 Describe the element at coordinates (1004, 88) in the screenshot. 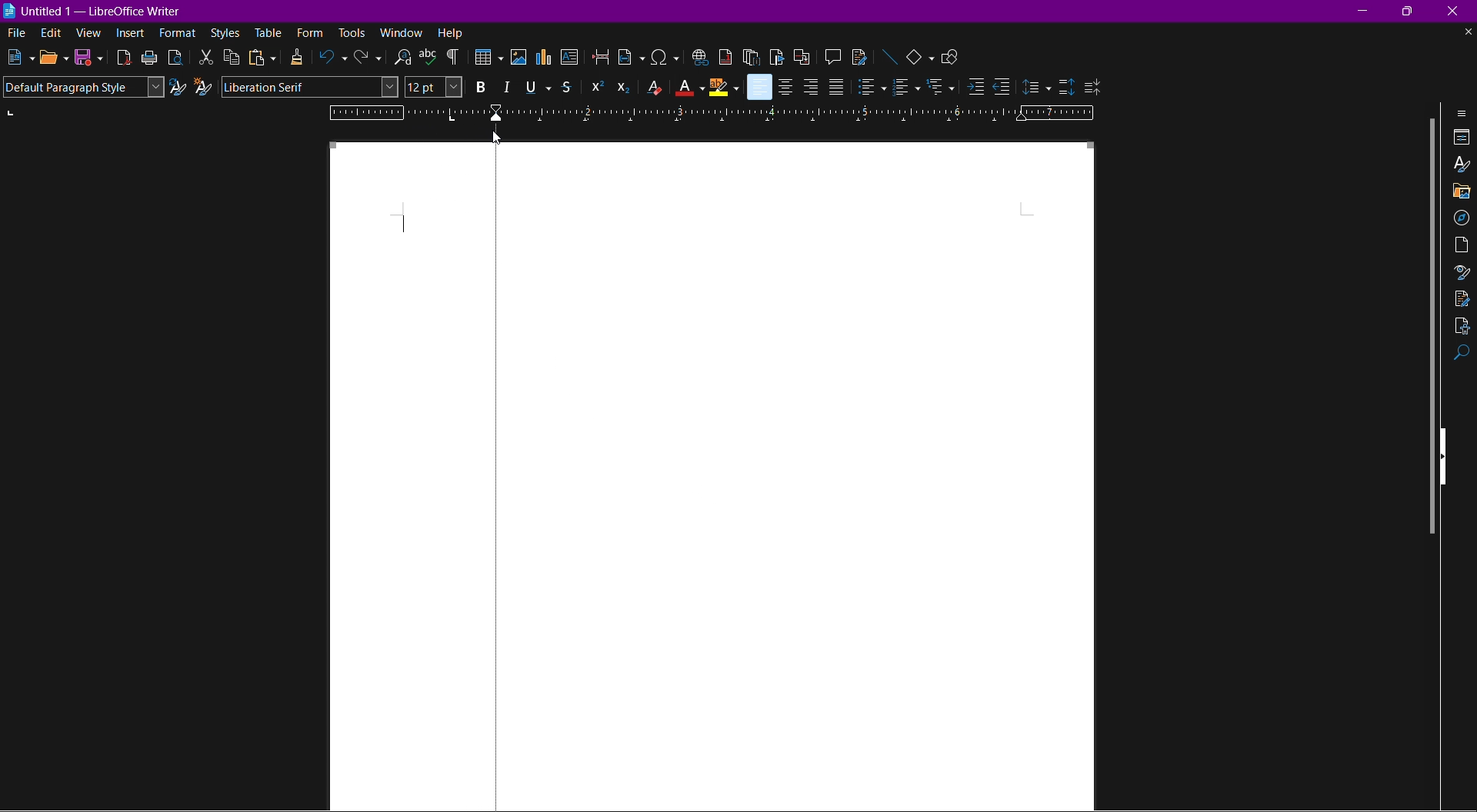

I see `Decrease indent` at that location.